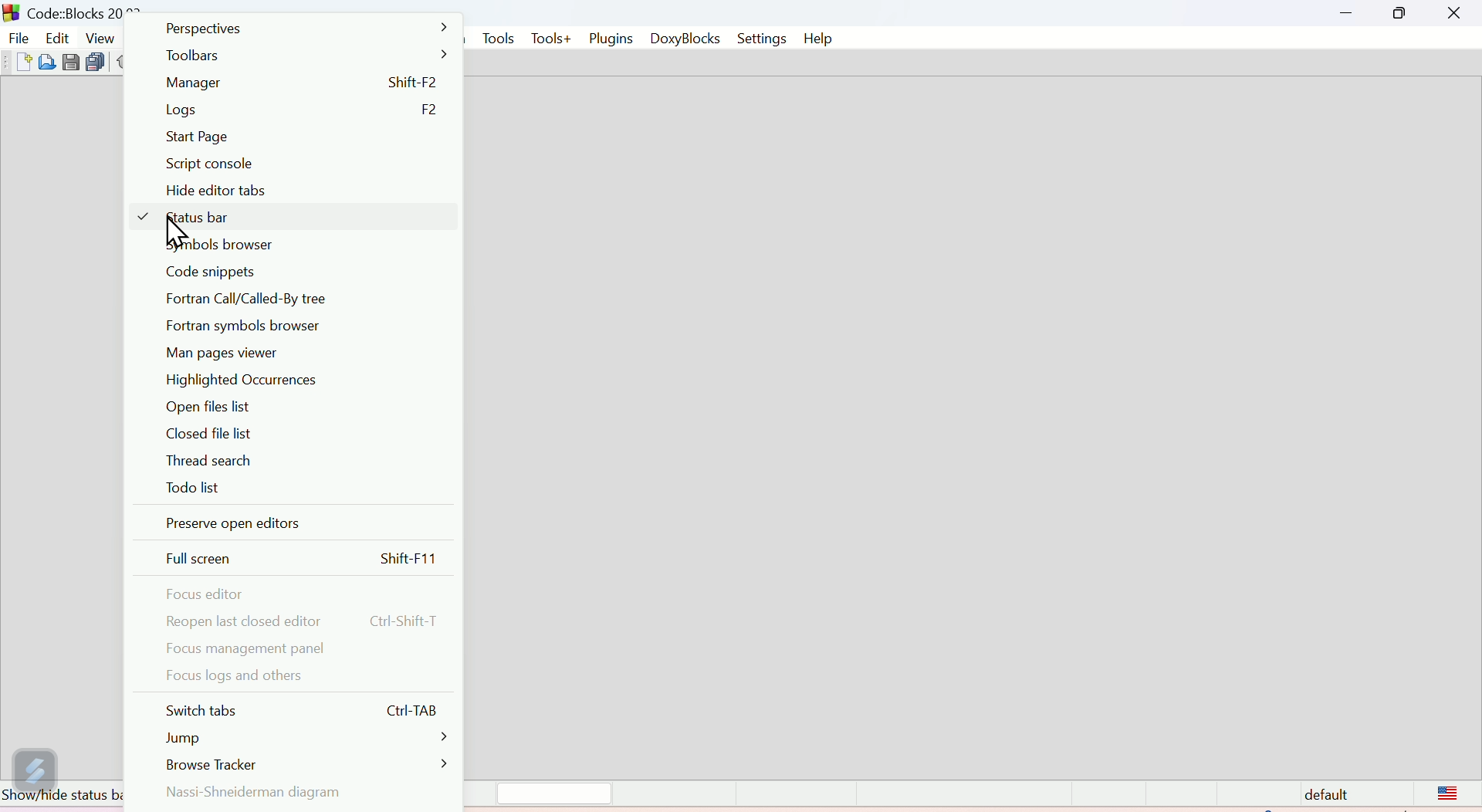 This screenshot has width=1482, height=812. Describe the element at coordinates (496, 37) in the screenshot. I see `Tools` at that location.